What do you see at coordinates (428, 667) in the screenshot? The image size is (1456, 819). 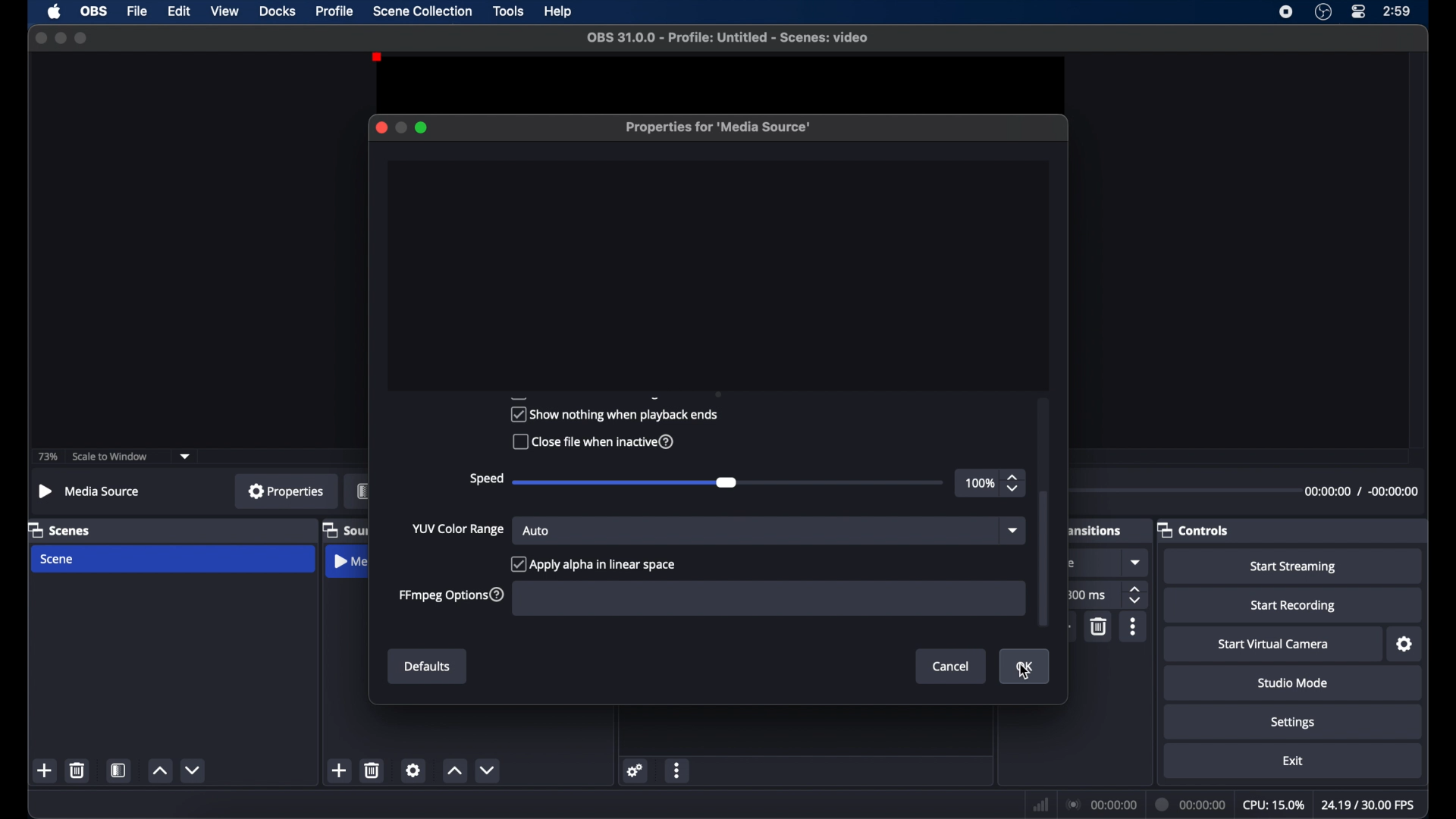 I see `defaults` at bounding box center [428, 667].